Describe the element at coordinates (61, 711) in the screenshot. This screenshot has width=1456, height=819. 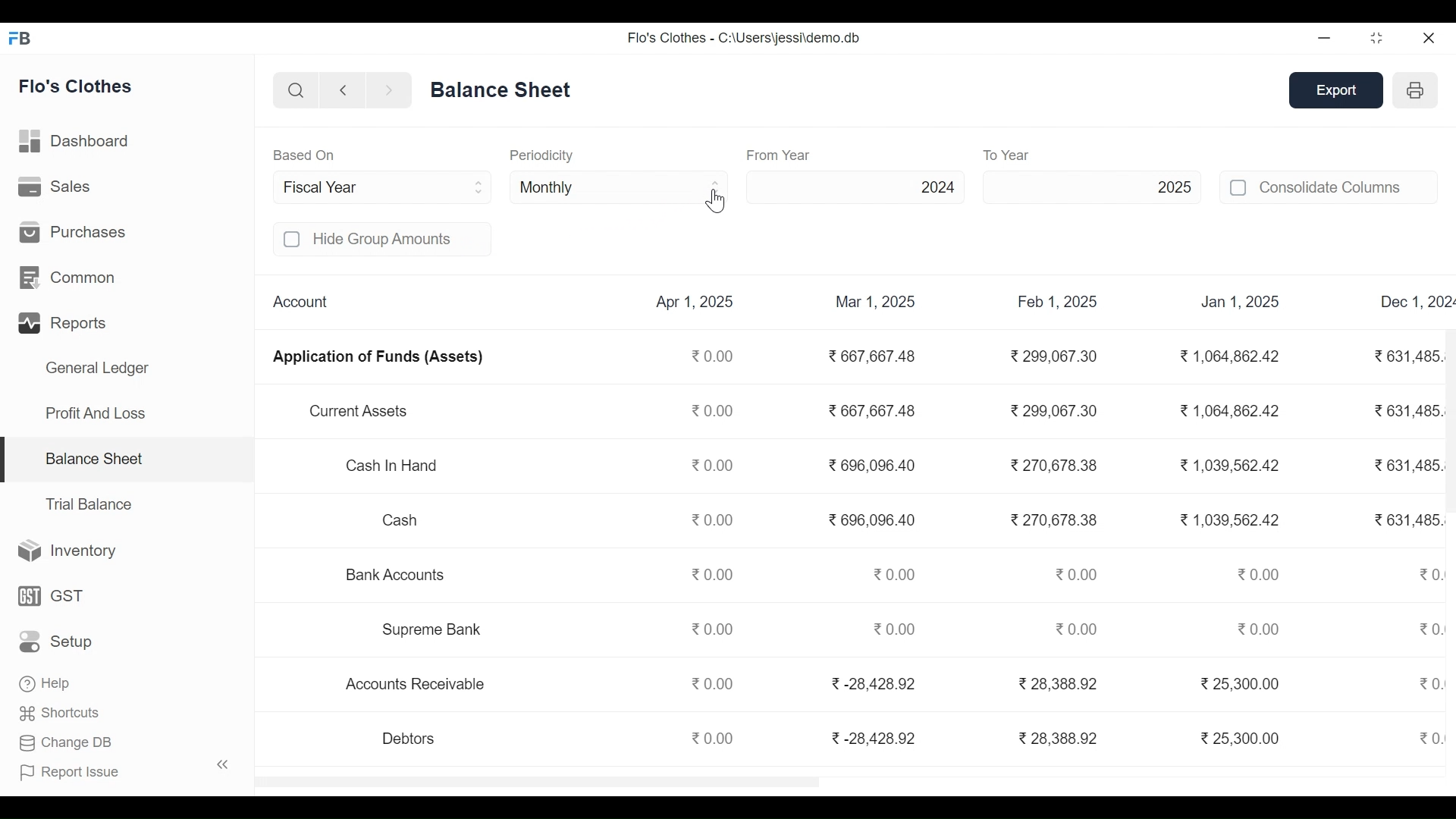
I see `Shortcuts` at that location.